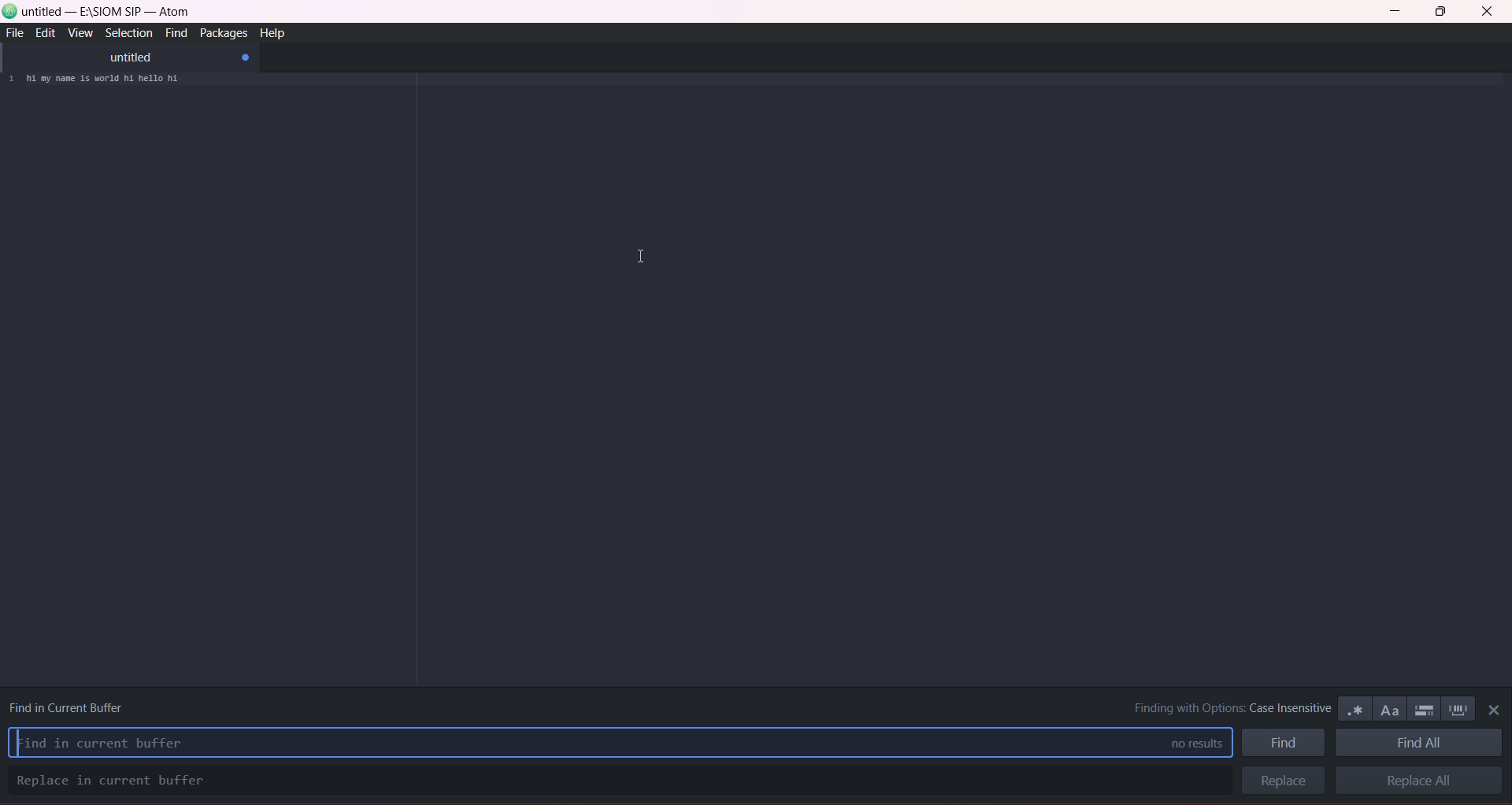 The width and height of the screenshot is (1512, 805). I want to click on find, so click(173, 35).